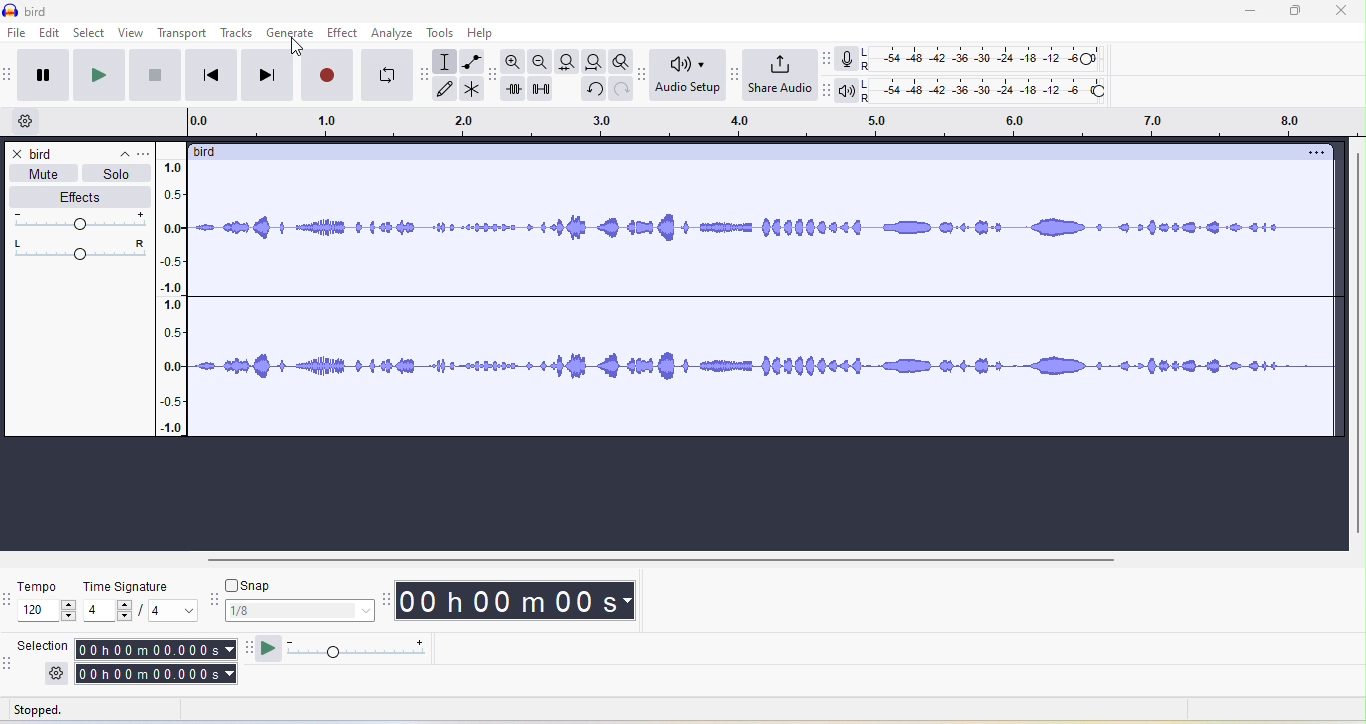  I want to click on time signature, so click(140, 599).